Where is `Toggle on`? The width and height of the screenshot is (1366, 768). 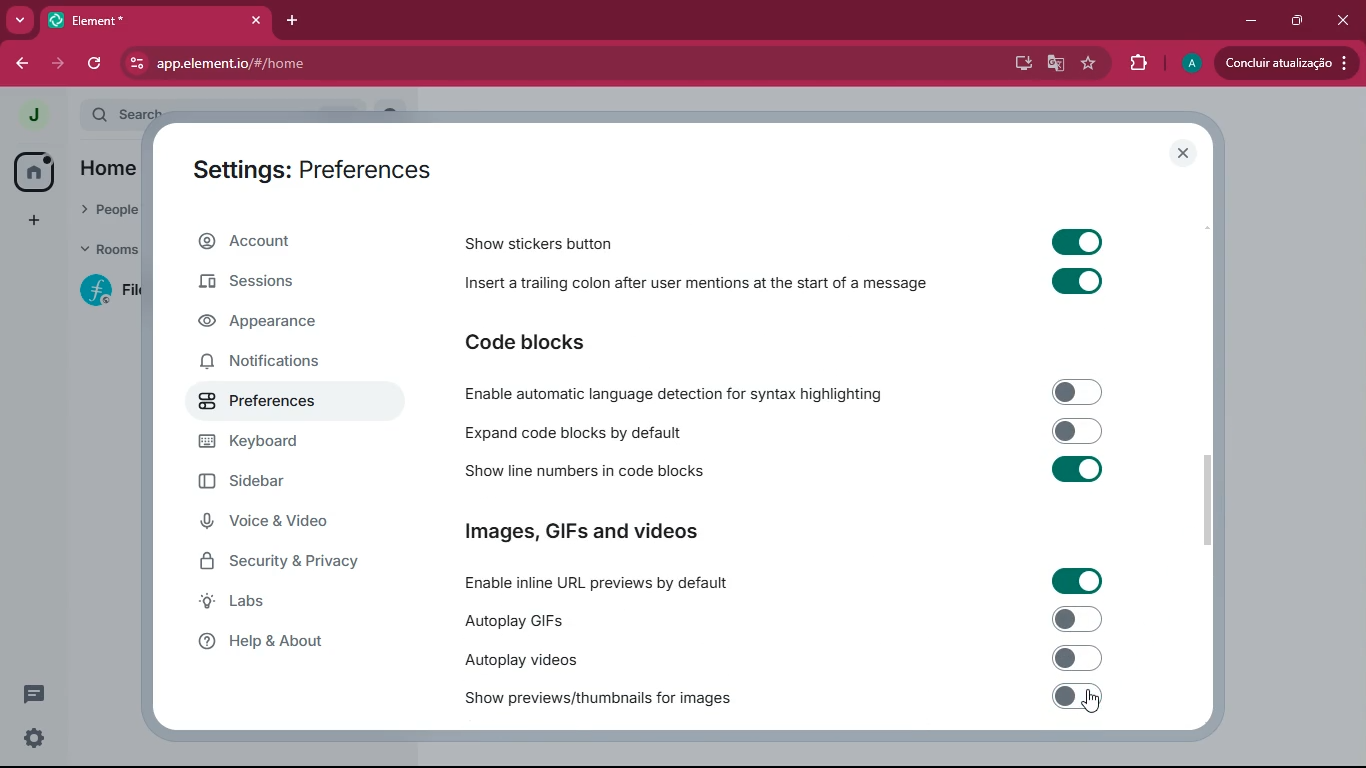 Toggle on is located at coordinates (1077, 471).